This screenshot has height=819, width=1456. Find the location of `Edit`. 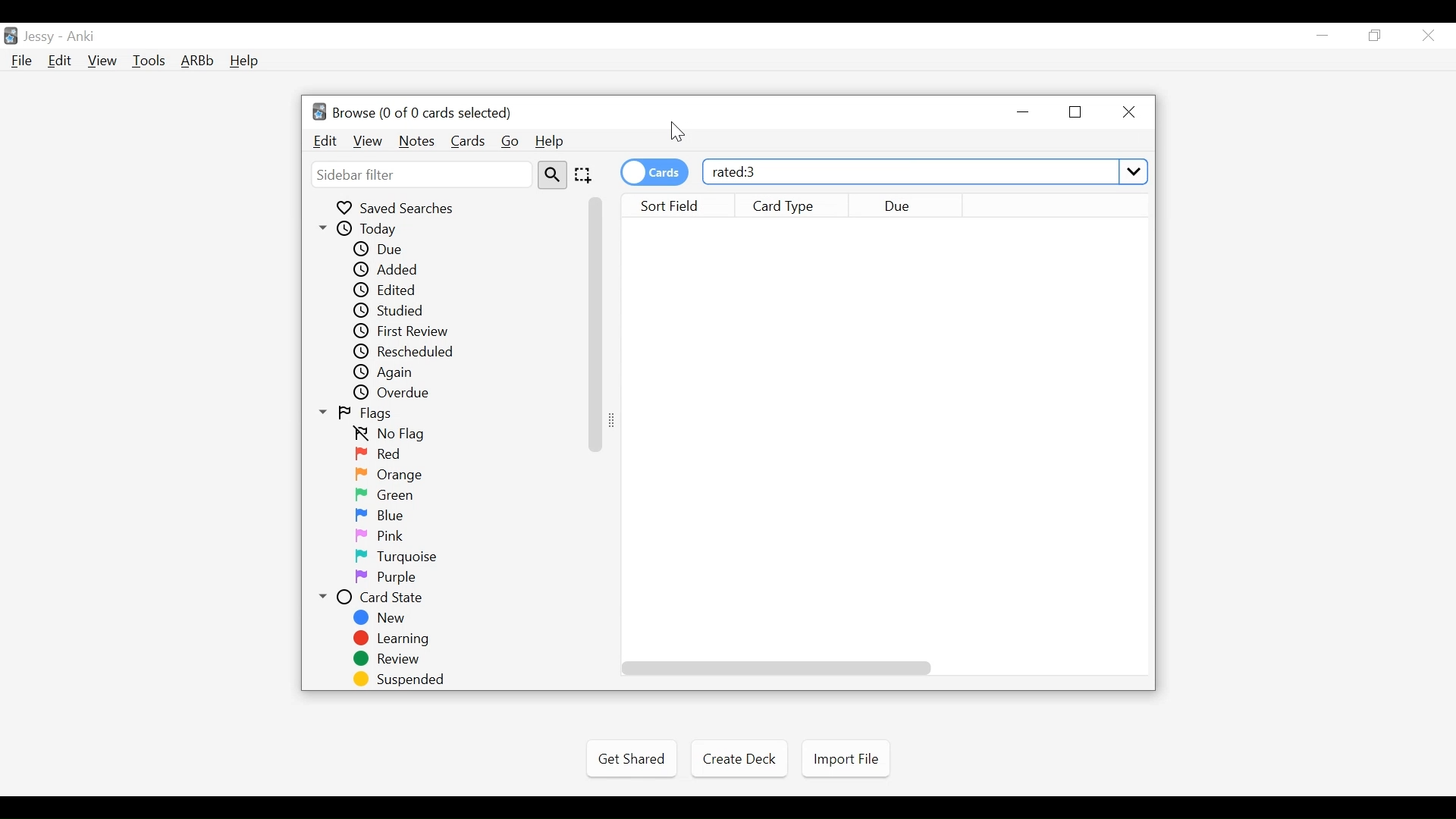

Edit is located at coordinates (61, 61).